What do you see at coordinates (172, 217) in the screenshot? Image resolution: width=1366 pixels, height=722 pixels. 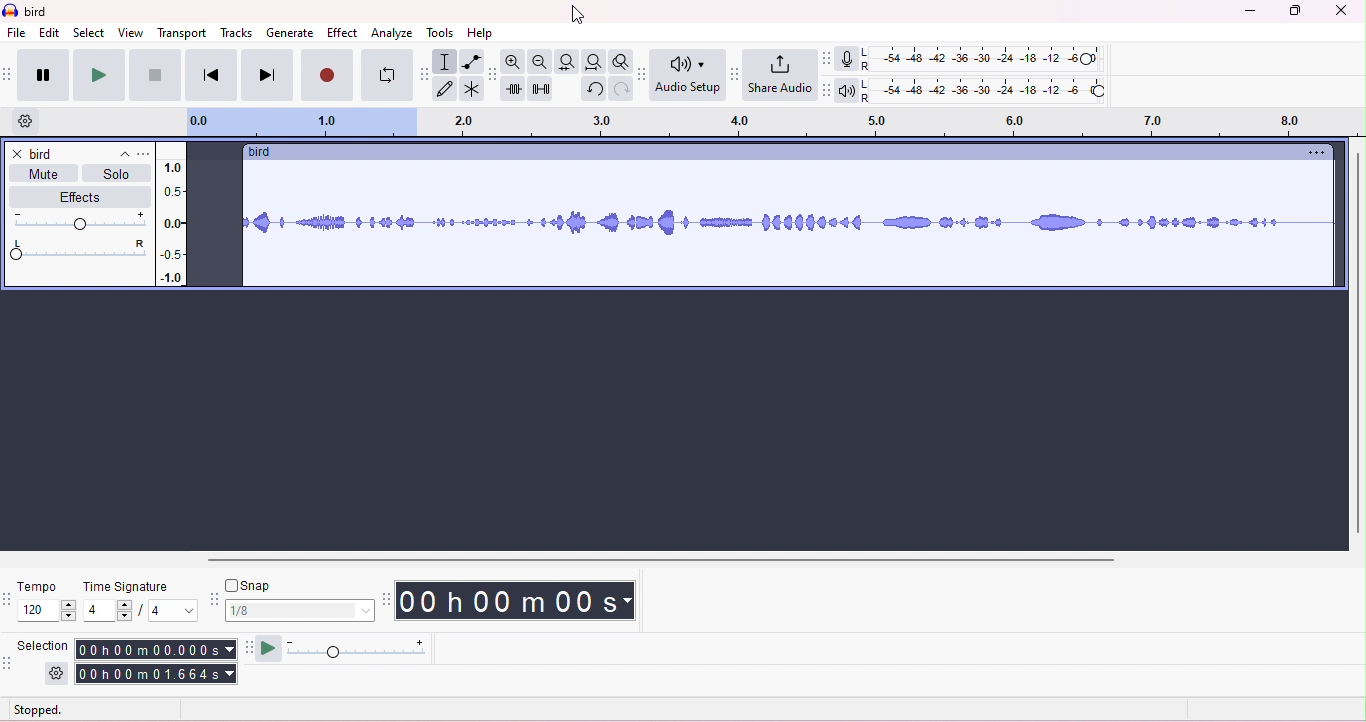 I see `amplitude` at bounding box center [172, 217].